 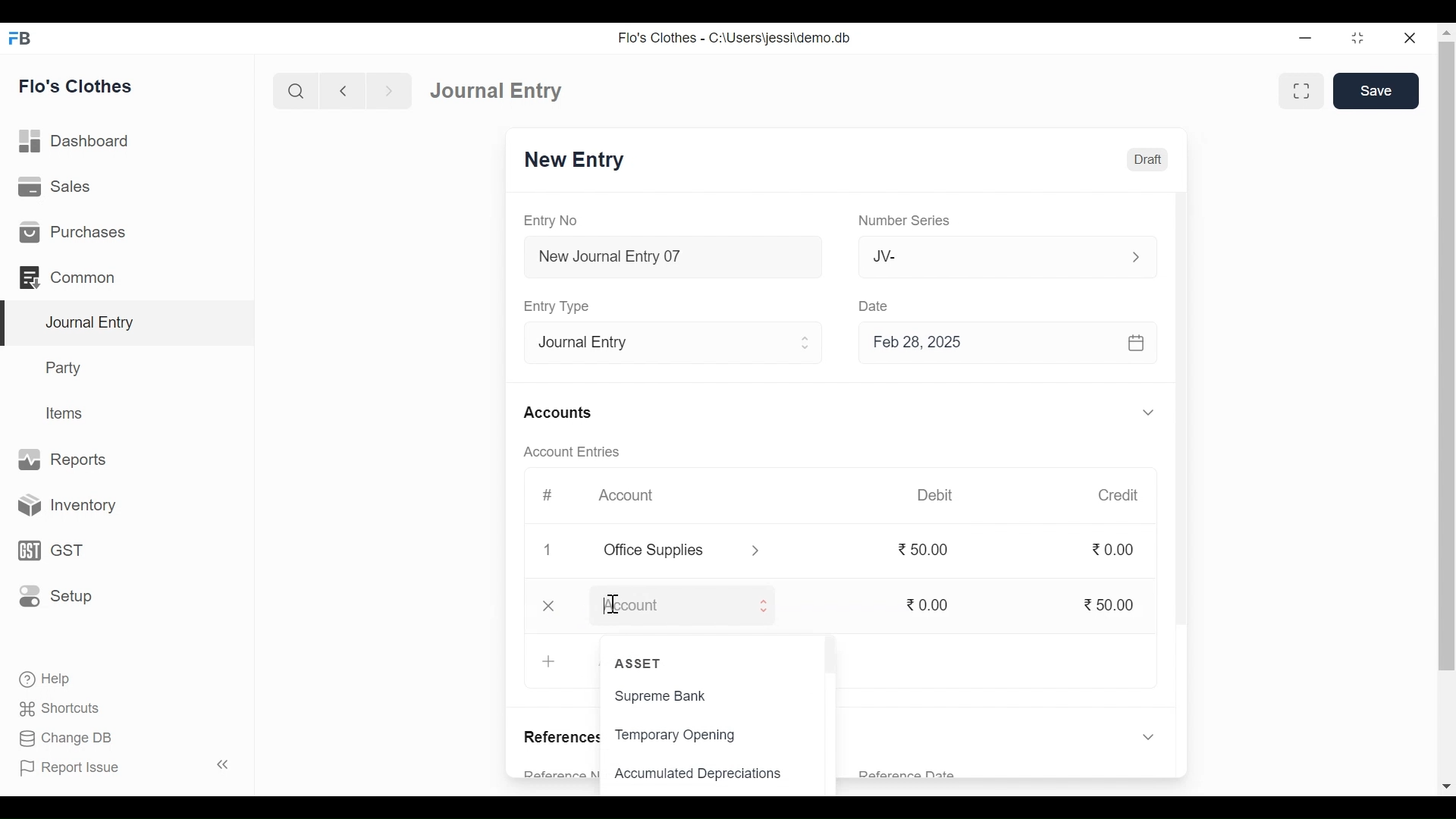 What do you see at coordinates (989, 259) in the screenshot?
I see `JV-` at bounding box center [989, 259].